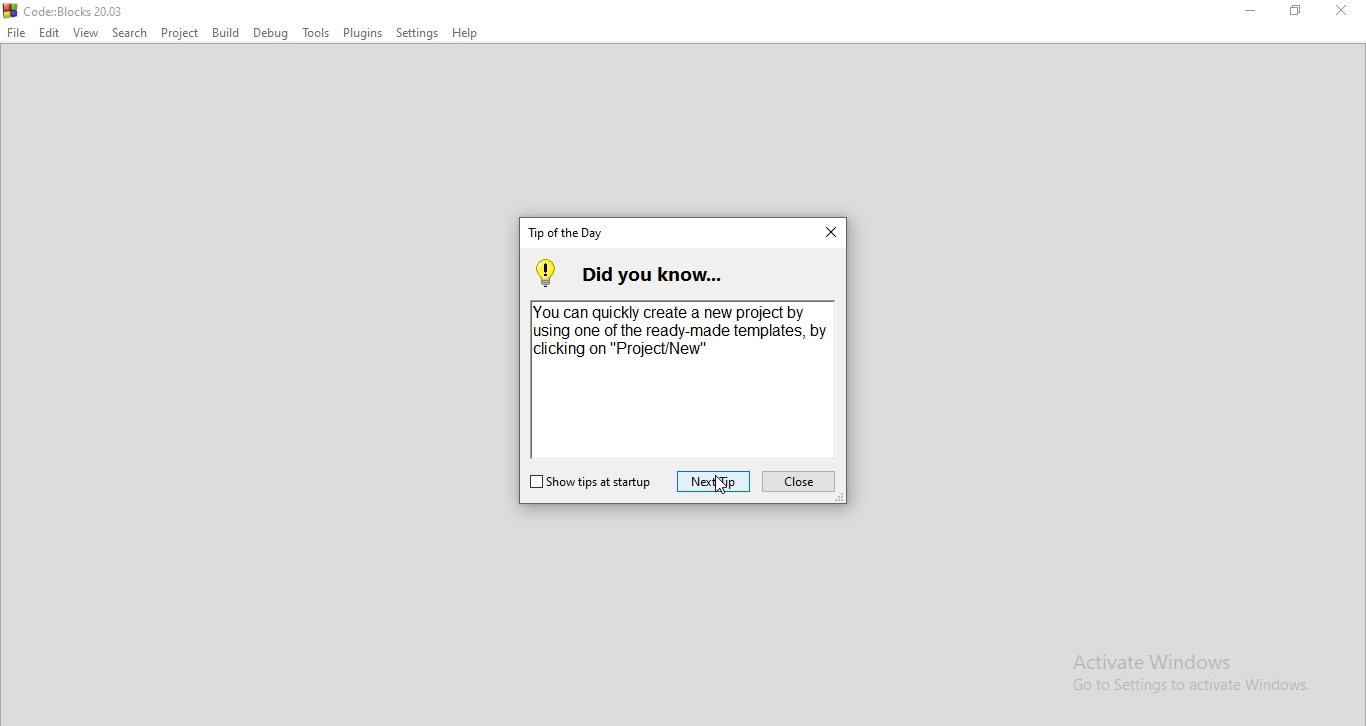 The image size is (1366, 726). I want to click on Settings , so click(419, 34).